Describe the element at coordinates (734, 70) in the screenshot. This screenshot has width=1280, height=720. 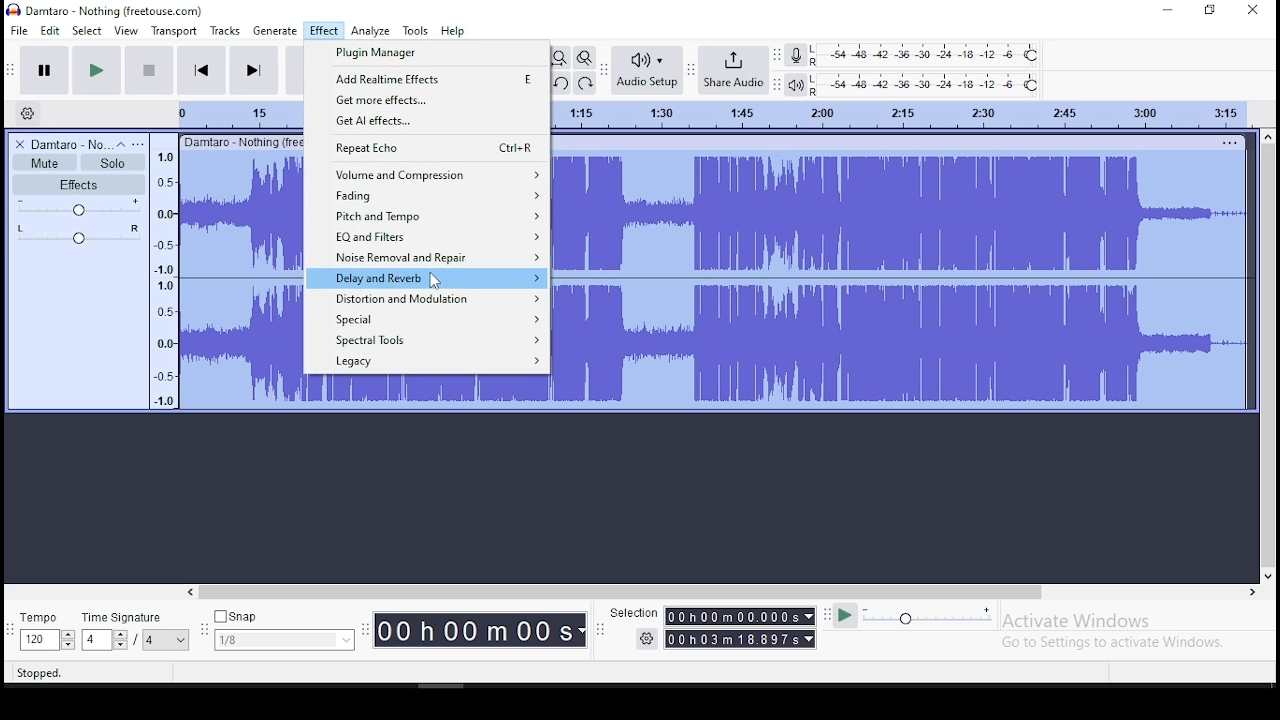
I see `share audio` at that location.